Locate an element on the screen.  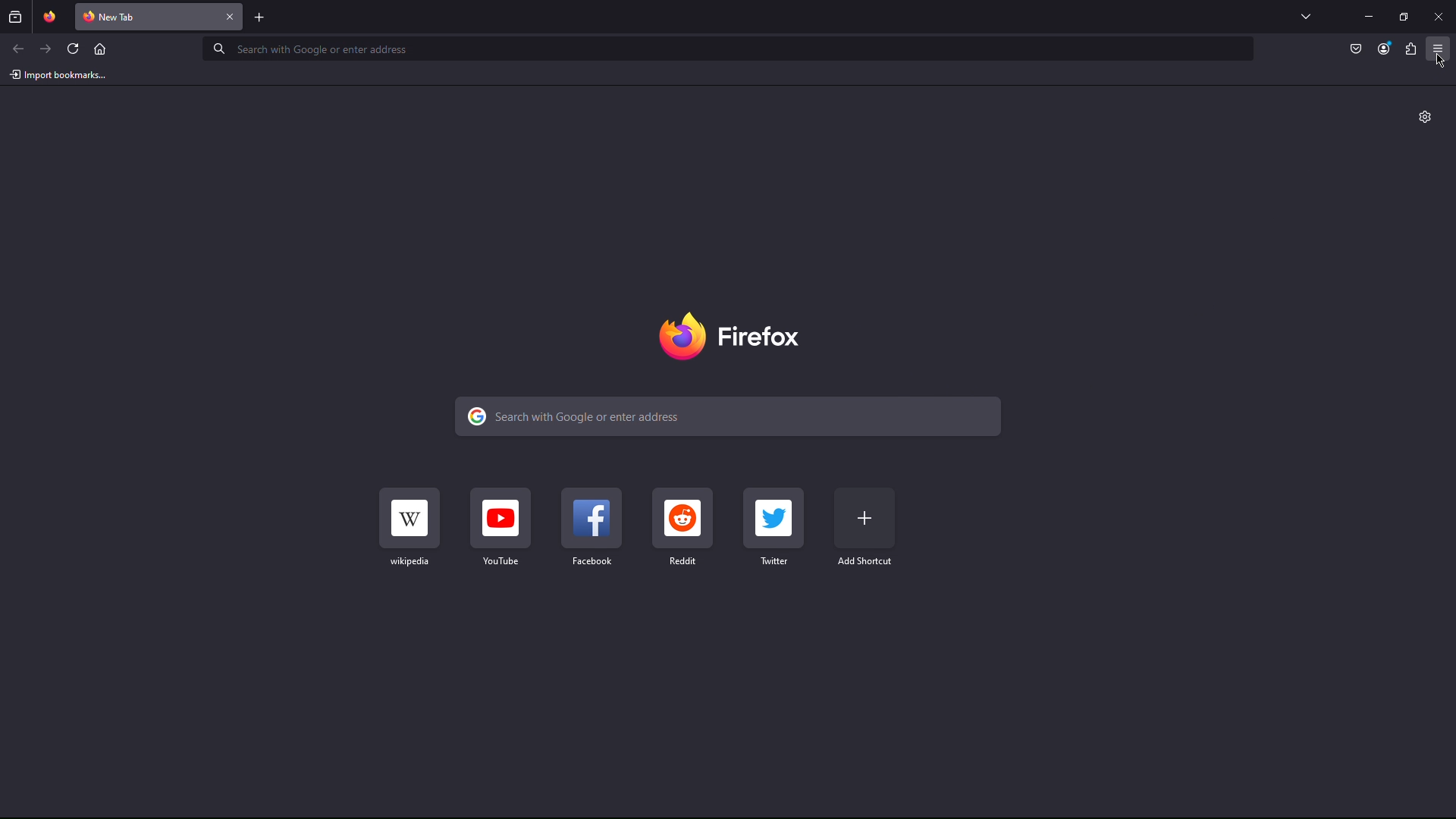
Plugin is located at coordinates (1411, 50).